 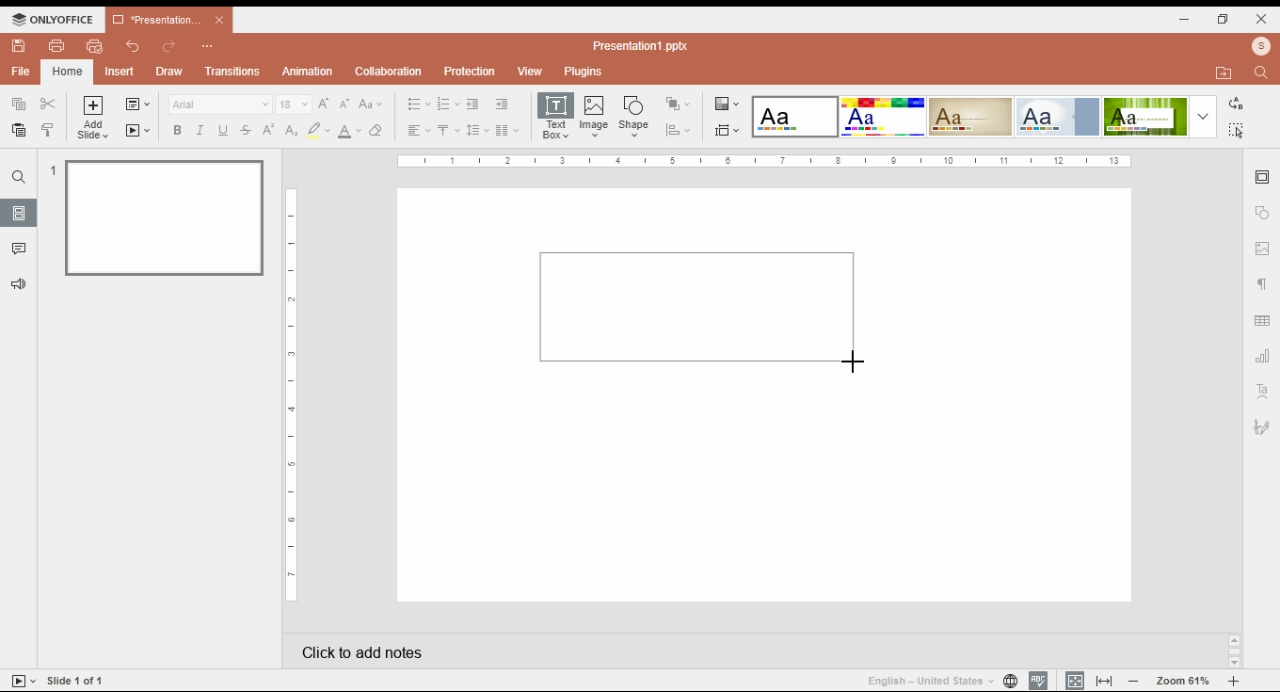 I want to click on clear, so click(x=380, y=130).